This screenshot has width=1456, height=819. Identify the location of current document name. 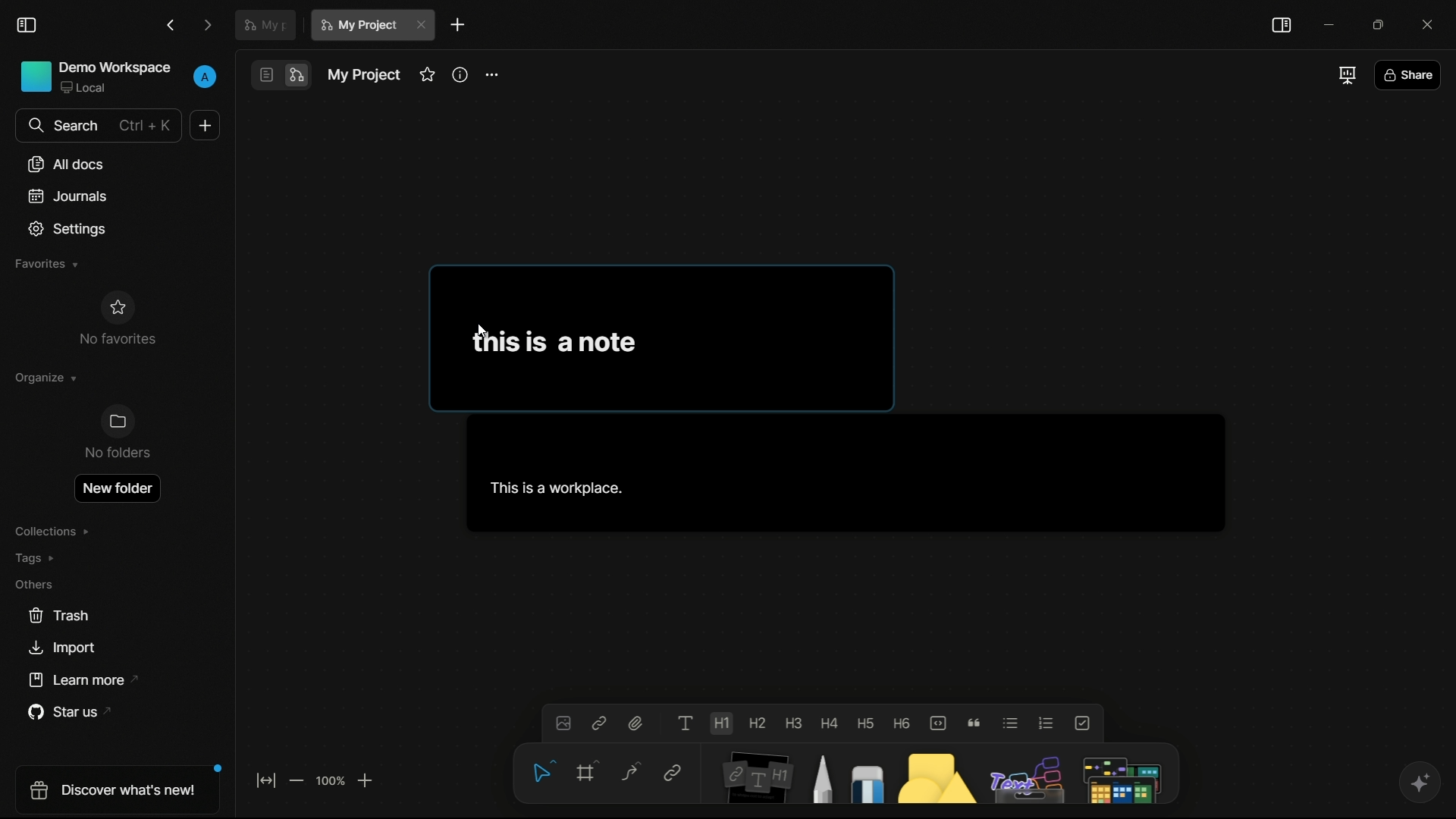
(359, 27).